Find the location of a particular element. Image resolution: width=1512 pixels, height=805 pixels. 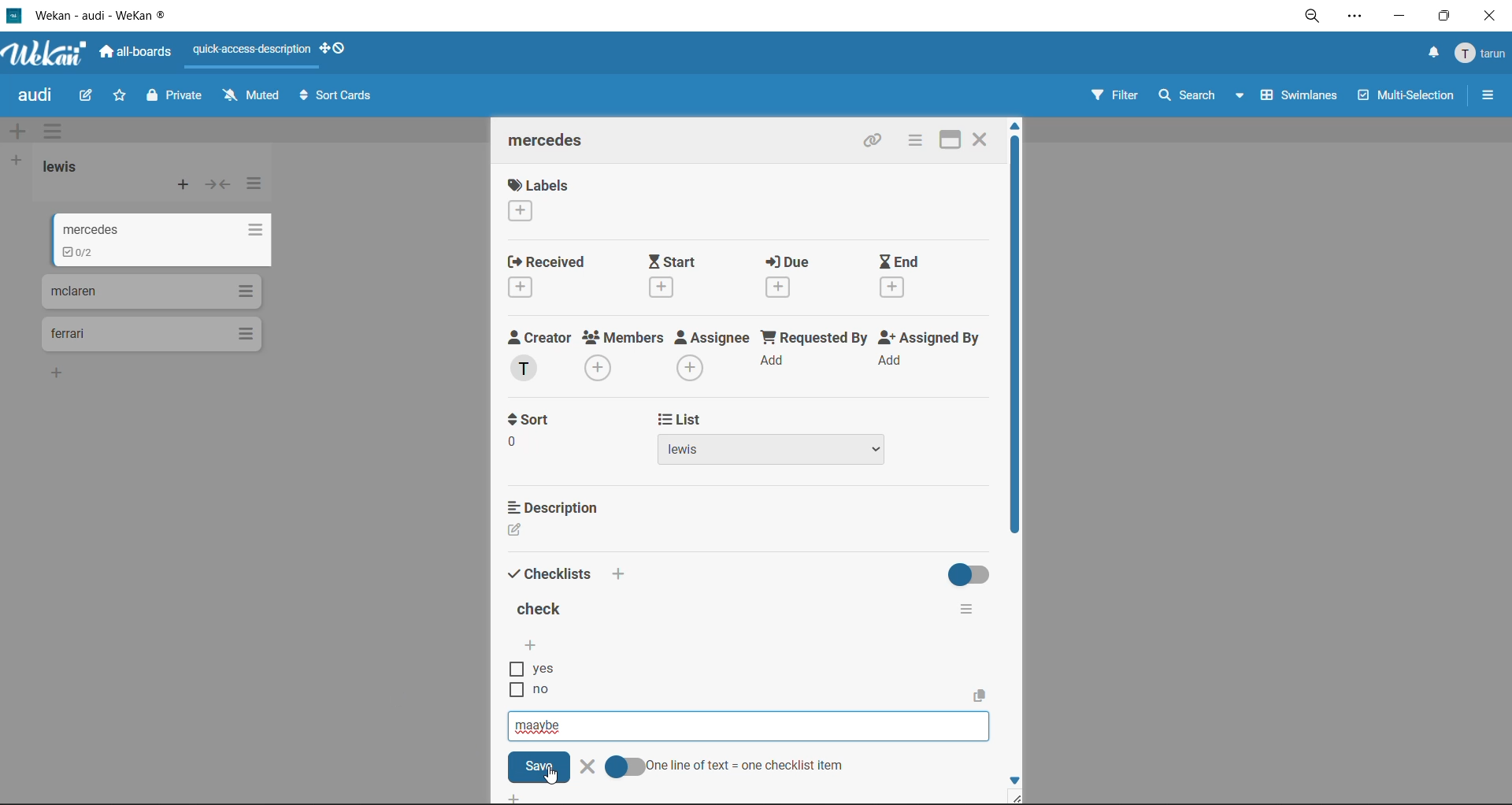

show desktop drag handles is located at coordinates (338, 50).